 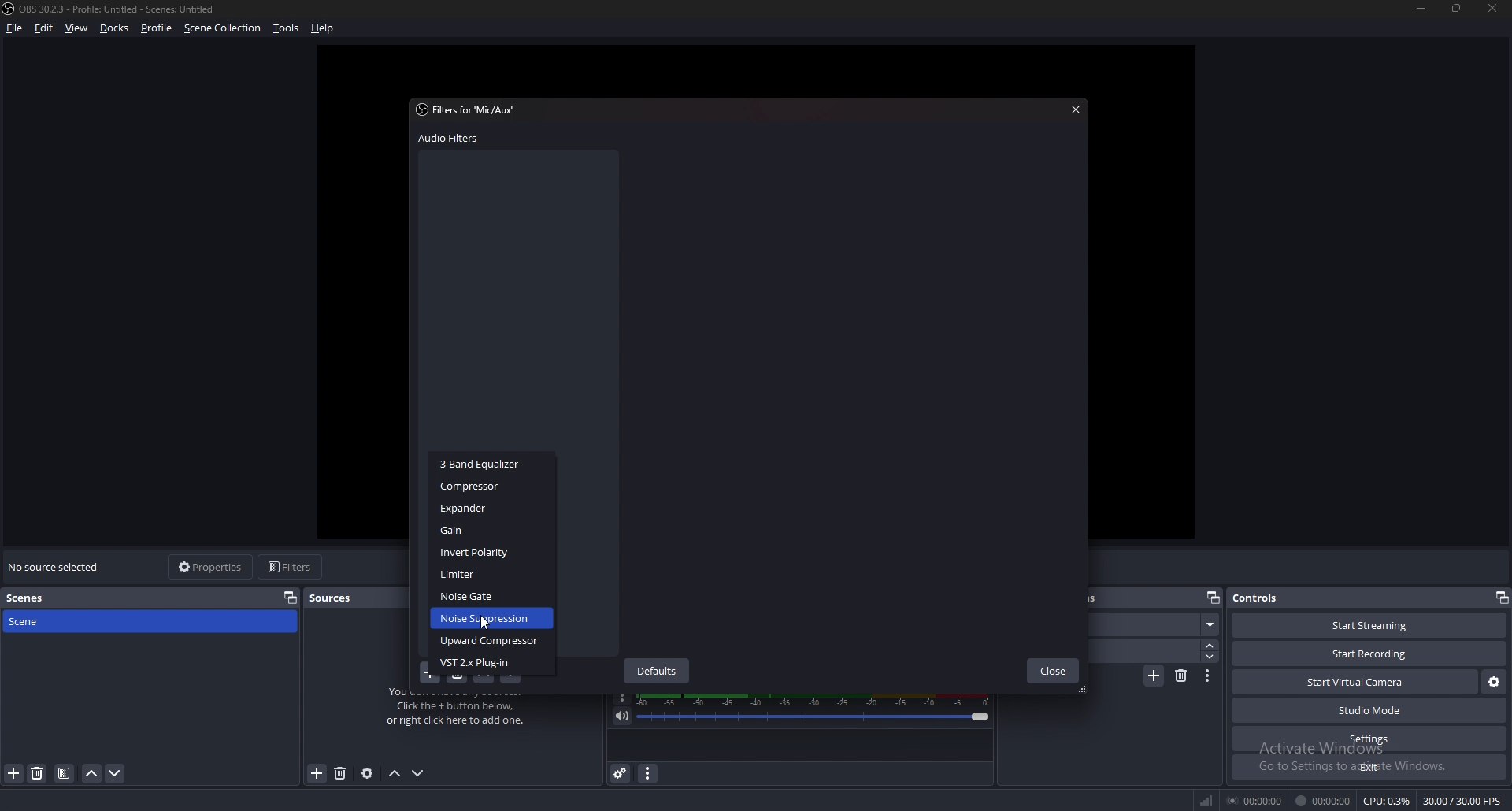 What do you see at coordinates (285, 28) in the screenshot?
I see `tools` at bounding box center [285, 28].